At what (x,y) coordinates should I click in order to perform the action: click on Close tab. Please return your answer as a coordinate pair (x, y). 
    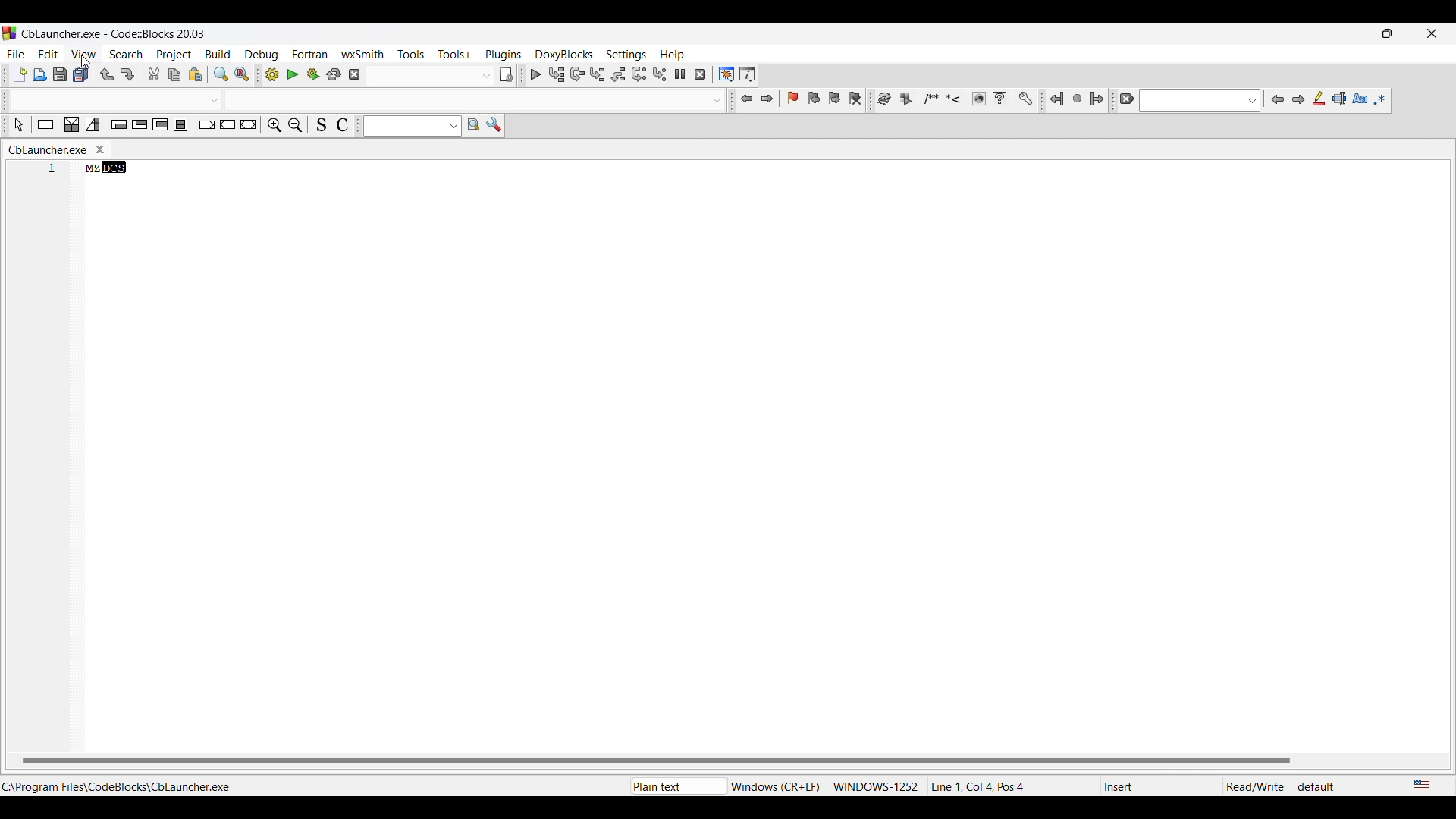
    Looking at the image, I should click on (100, 149).